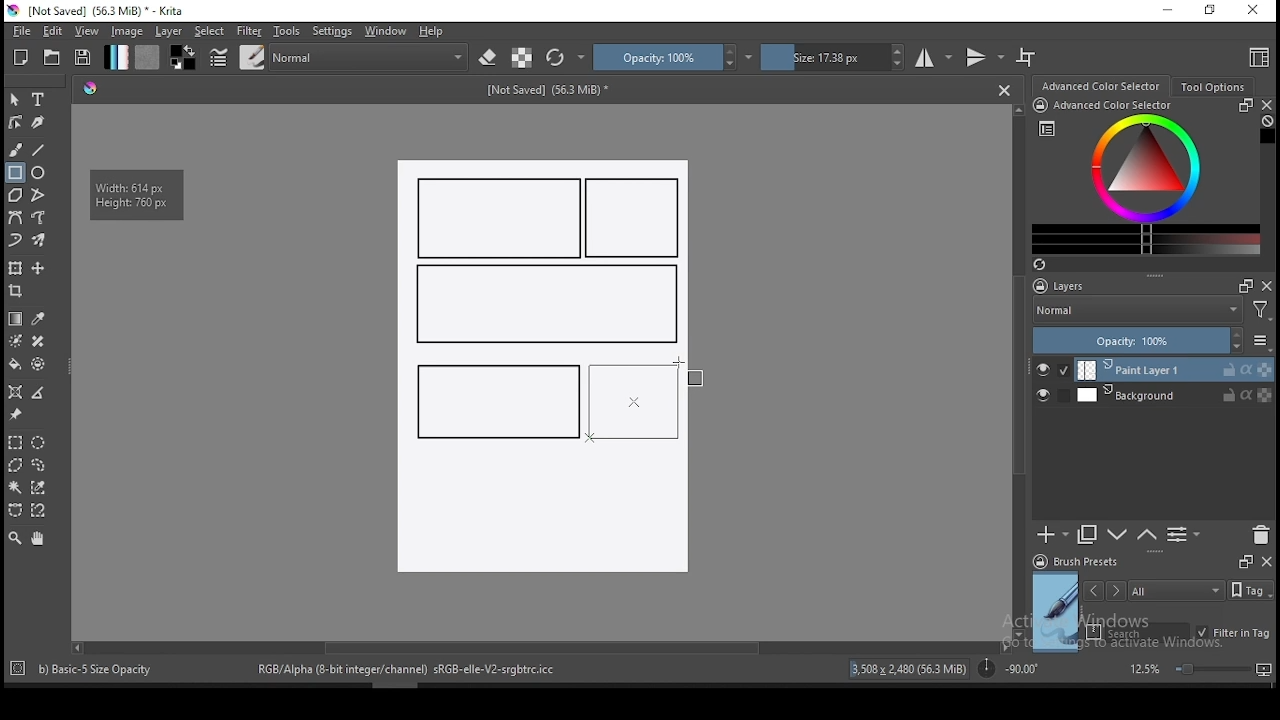 The height and width of the screenshot is (720, 1280). I want to click on Clear, so click(1267, 123).